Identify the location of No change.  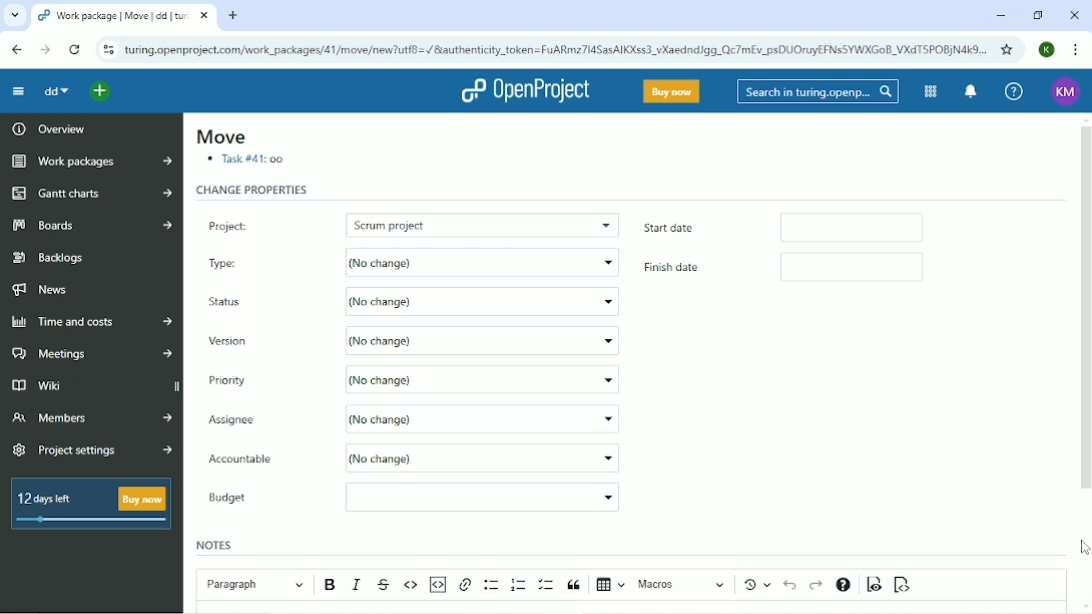
(479, 263).